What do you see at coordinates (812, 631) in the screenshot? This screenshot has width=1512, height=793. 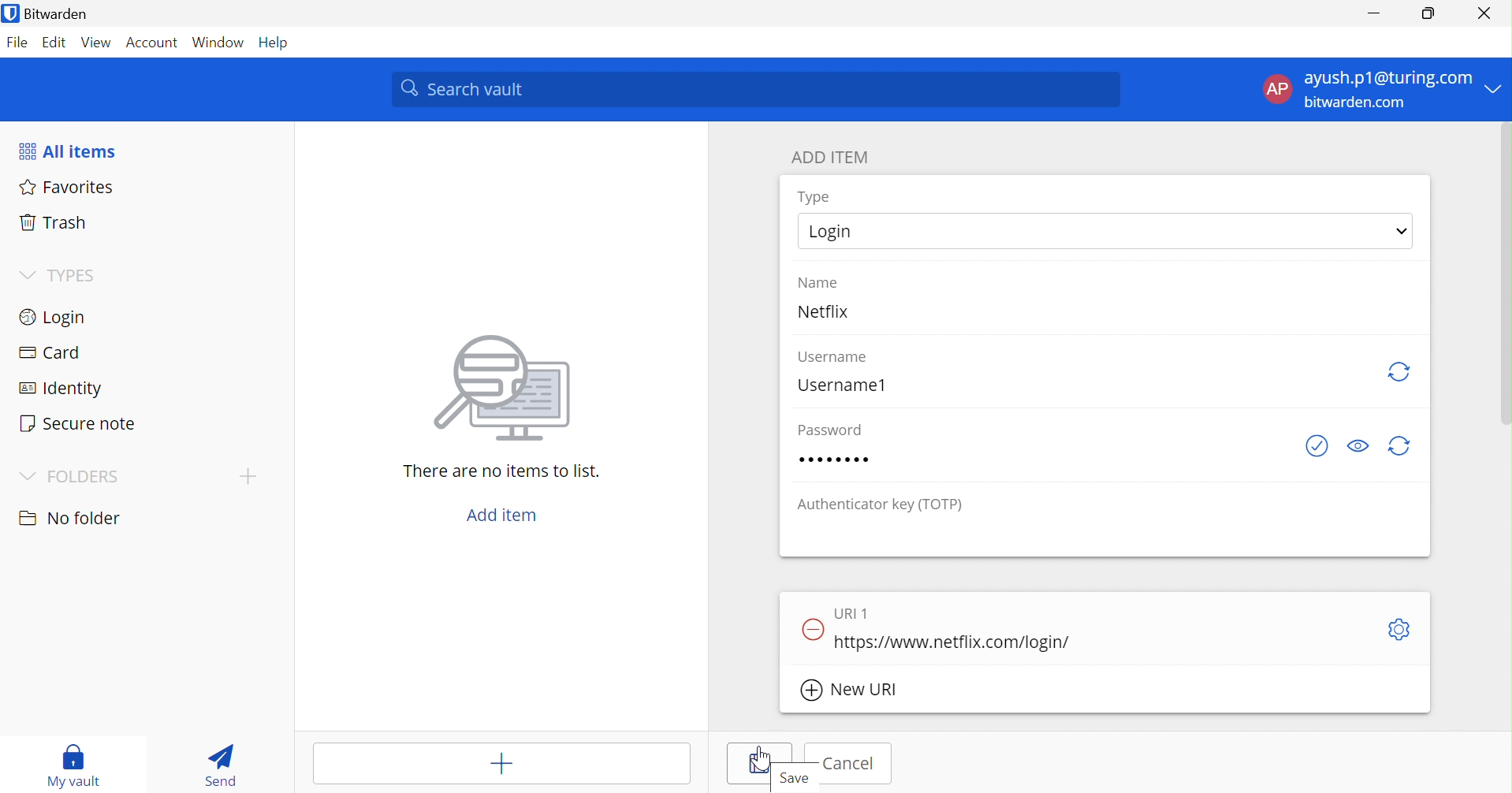 I see `Remove` at bounding box center [812, 631].